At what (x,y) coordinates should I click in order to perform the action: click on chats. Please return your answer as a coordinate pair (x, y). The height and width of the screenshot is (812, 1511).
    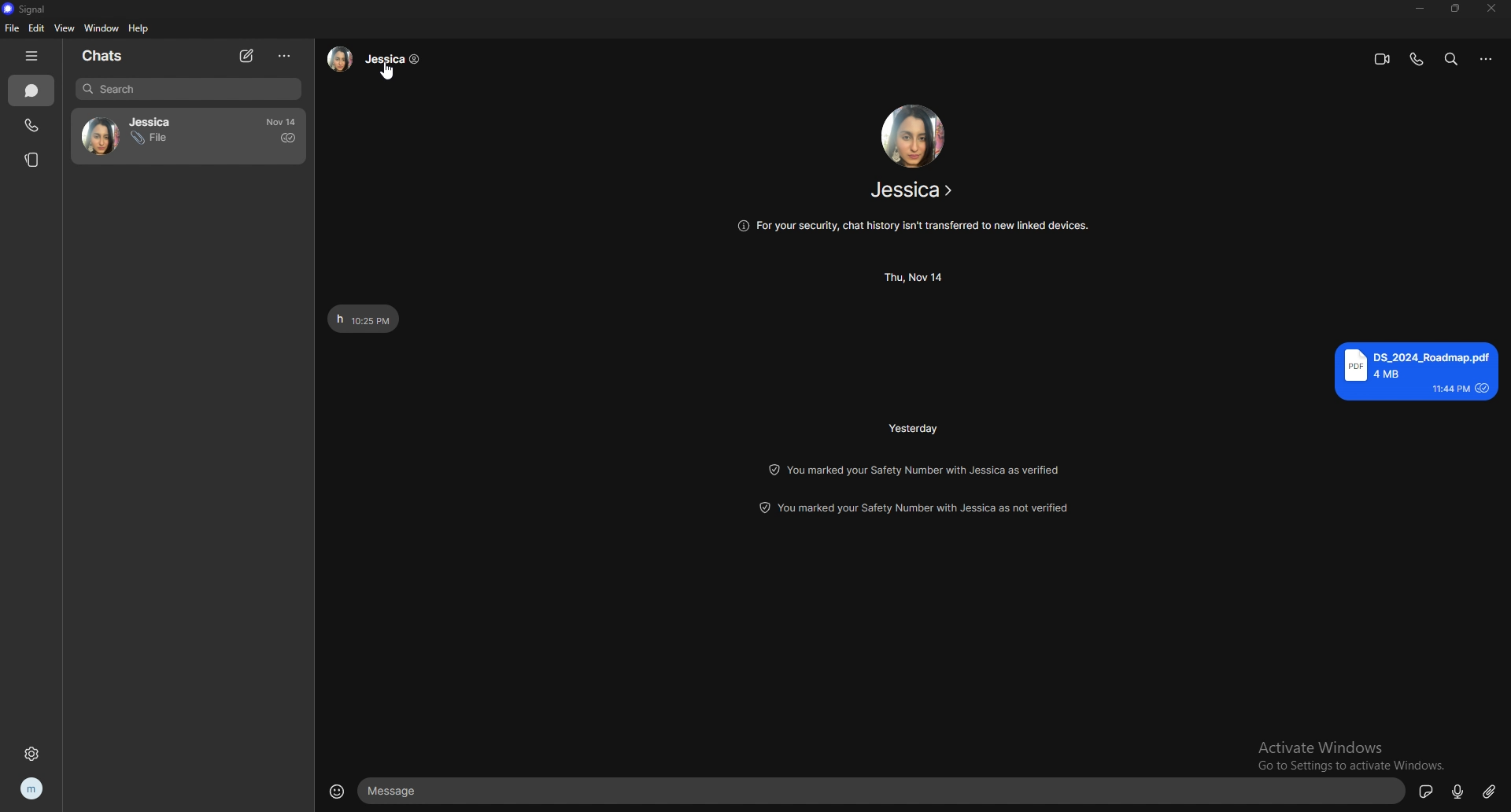
    Looking at the image, I should click on (106, 57).